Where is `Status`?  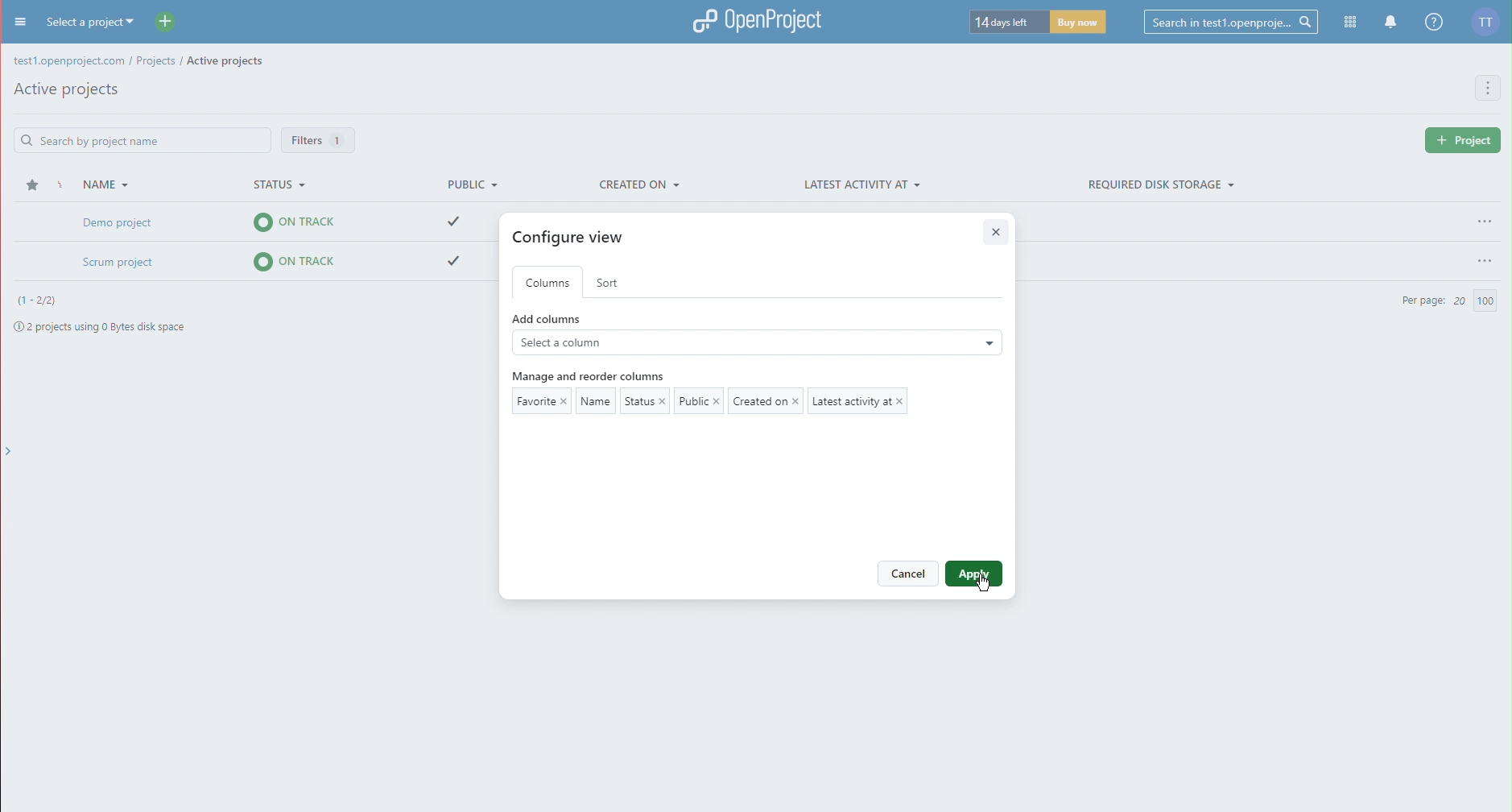
Status is located at coordinates (283, 188).